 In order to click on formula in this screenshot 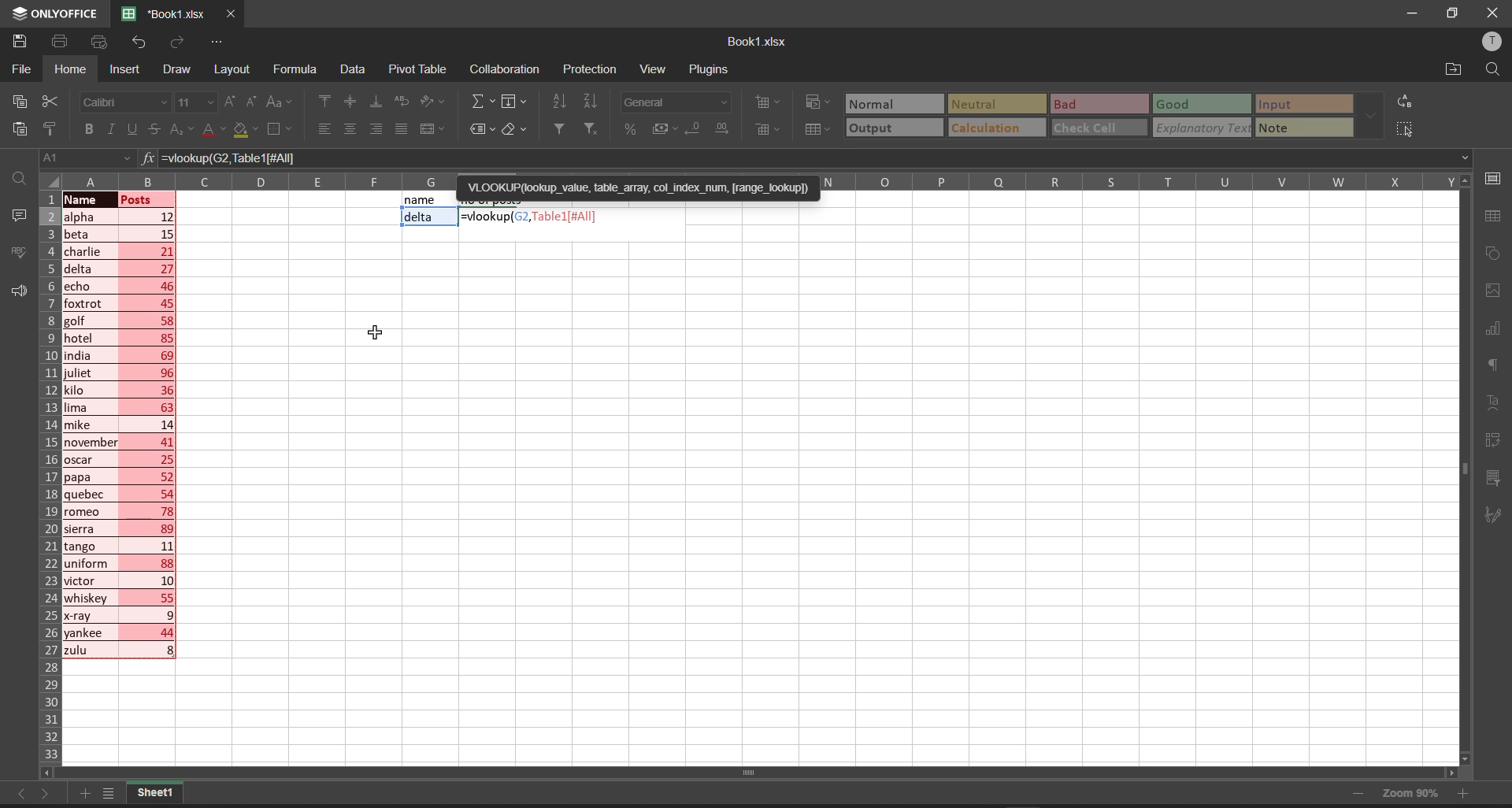, I will do `click(146, 158)`.